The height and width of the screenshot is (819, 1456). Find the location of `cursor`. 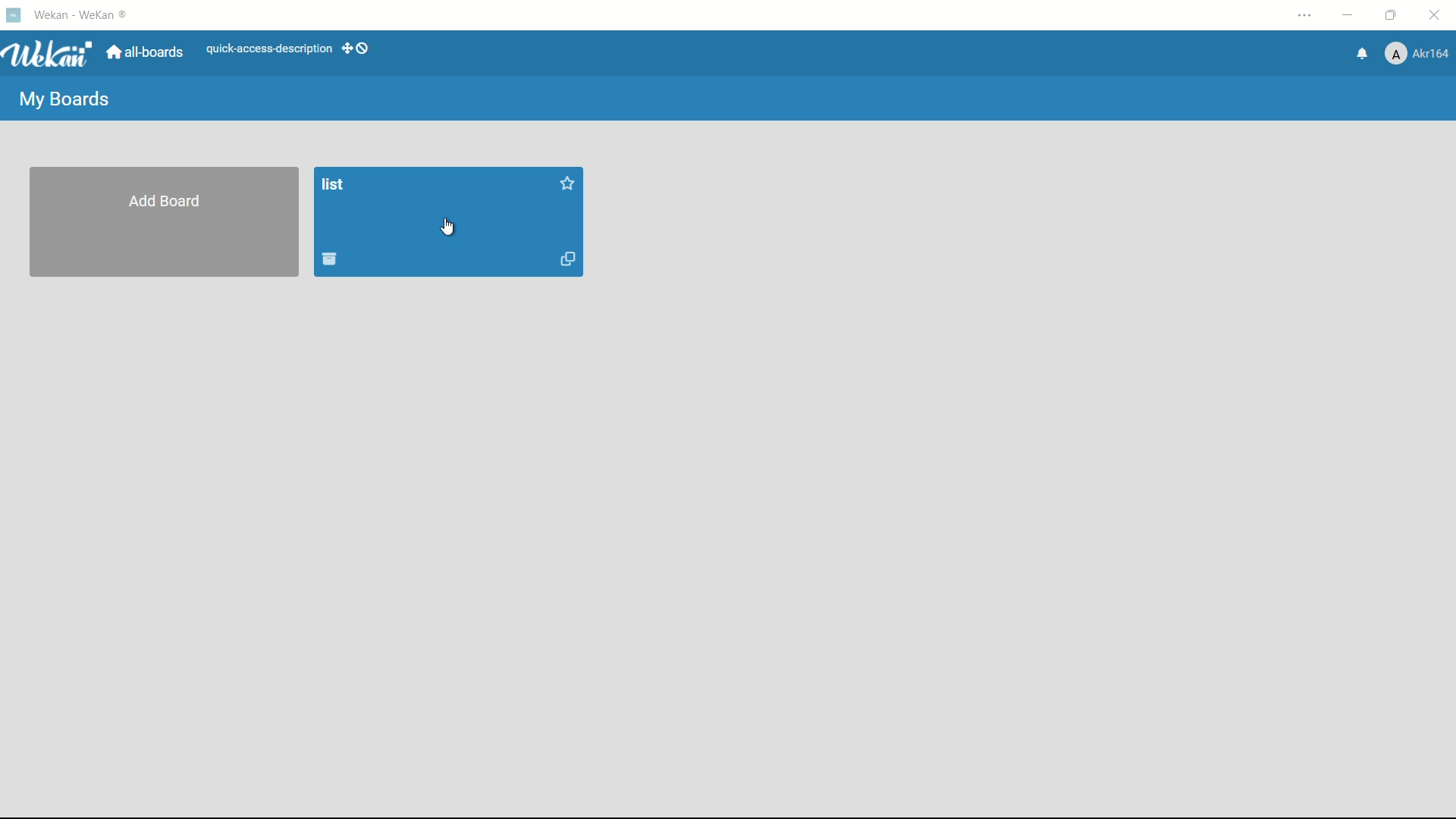

cursor is located at coordinates (448, 228).